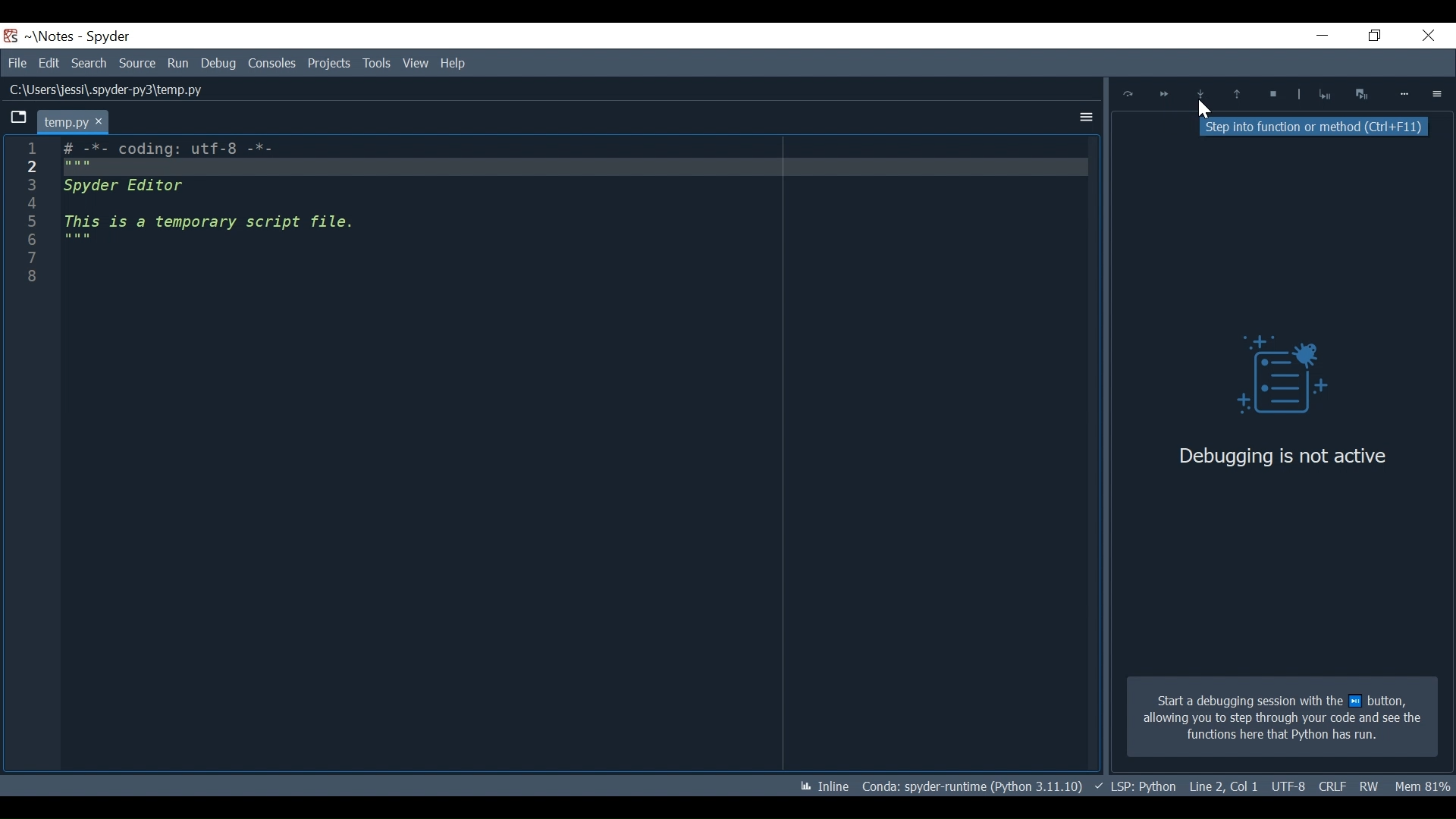 The image size is (1456, 819). Describe the element at coordinates (1370, 36) in the screenshot. I see `Restore` at that location.